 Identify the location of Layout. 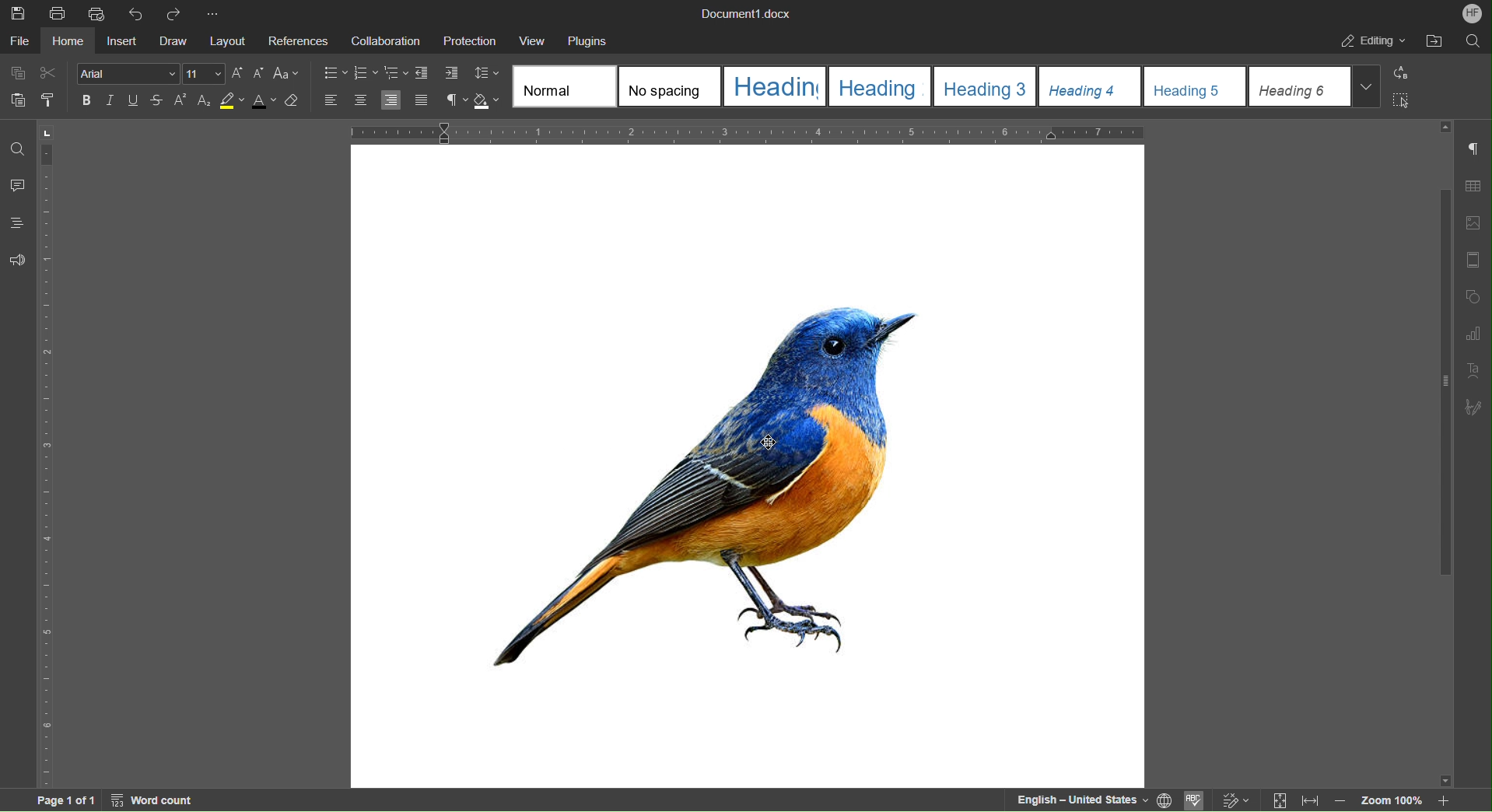
(228, 43).